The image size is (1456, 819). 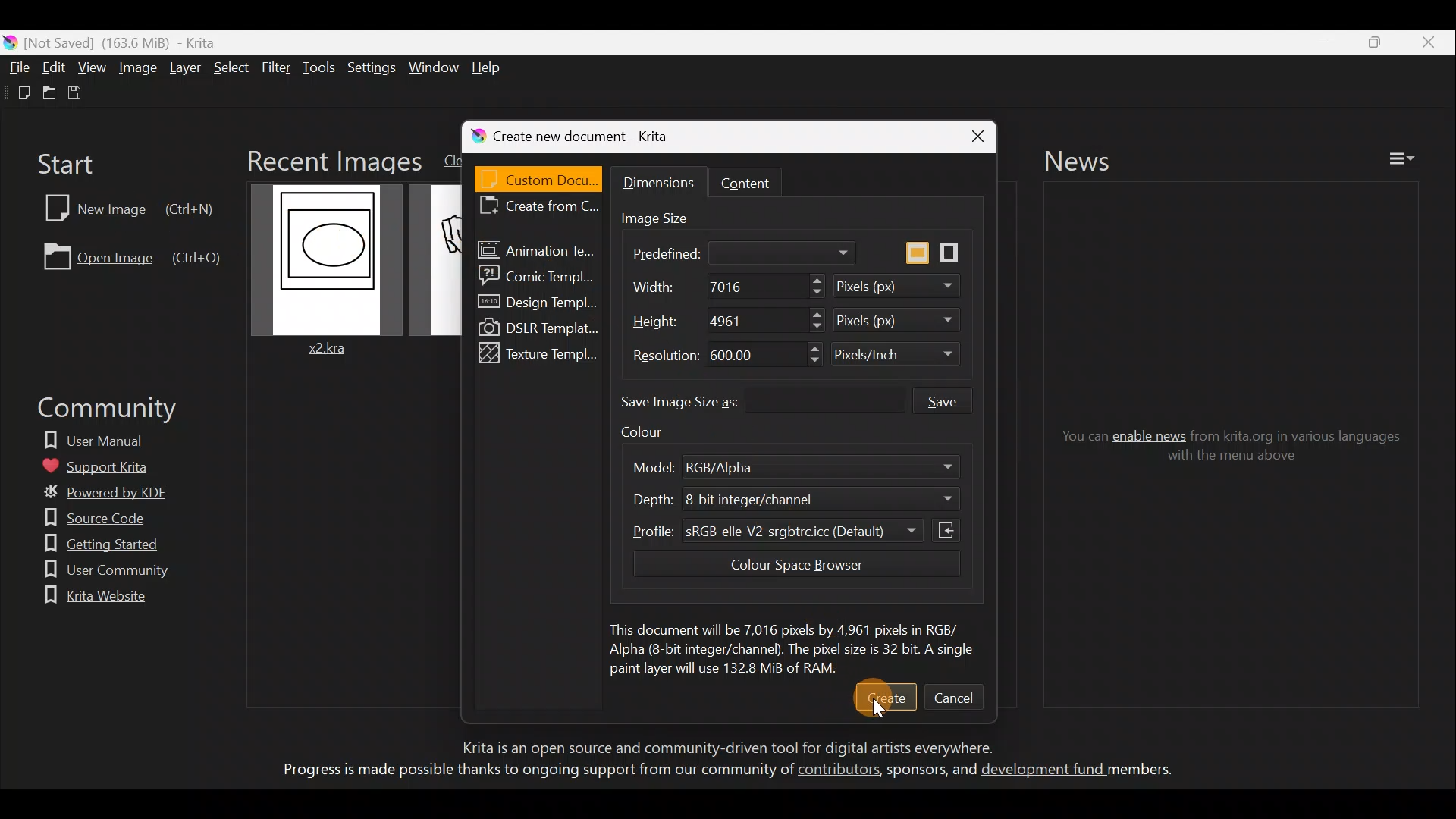 I want to click on Landscape, so click(x=915, y=251).